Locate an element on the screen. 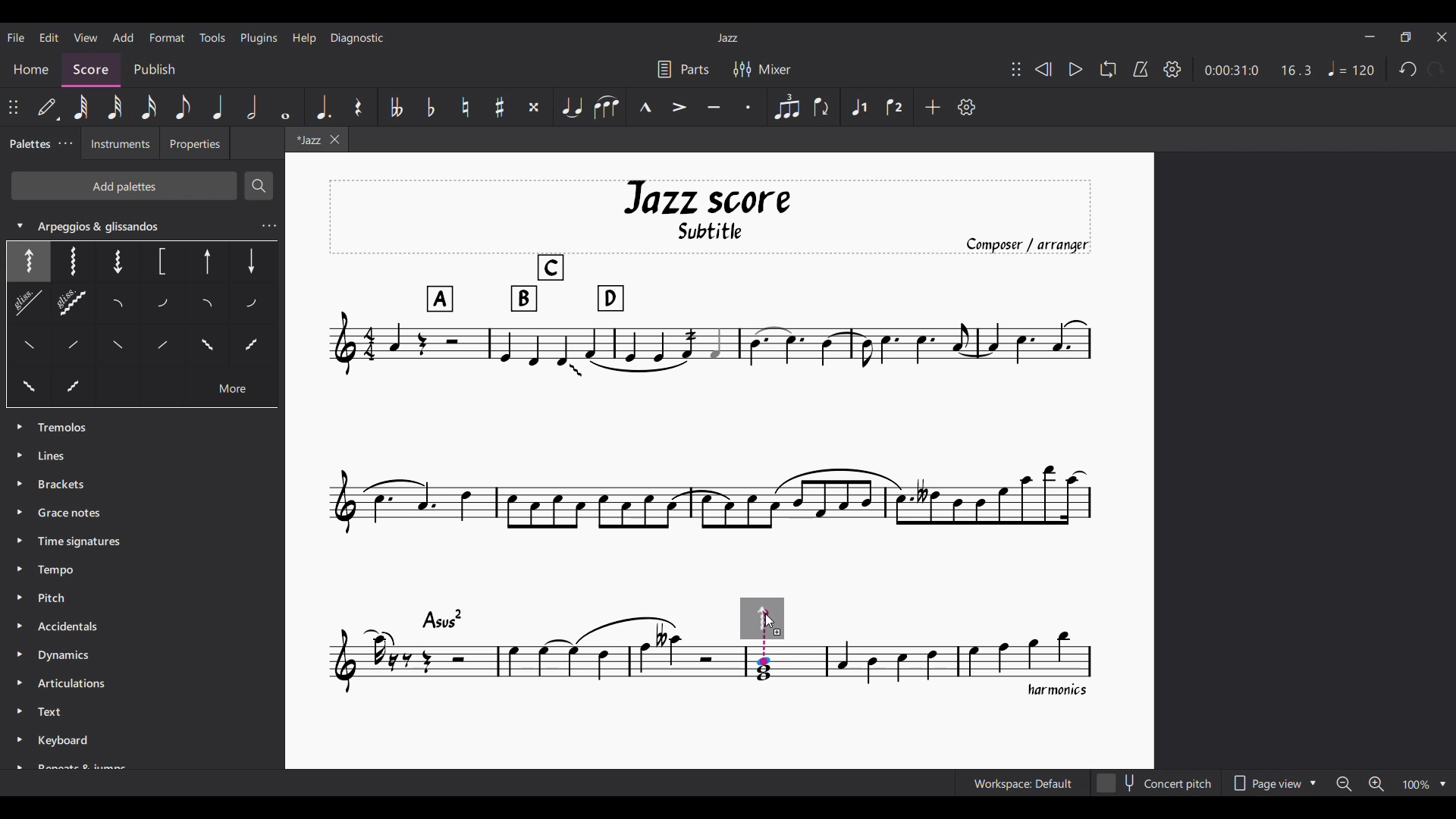 The height and width of the screenshot is (819, 1456). Indicates point of contact is located at coordinates (764, 638).